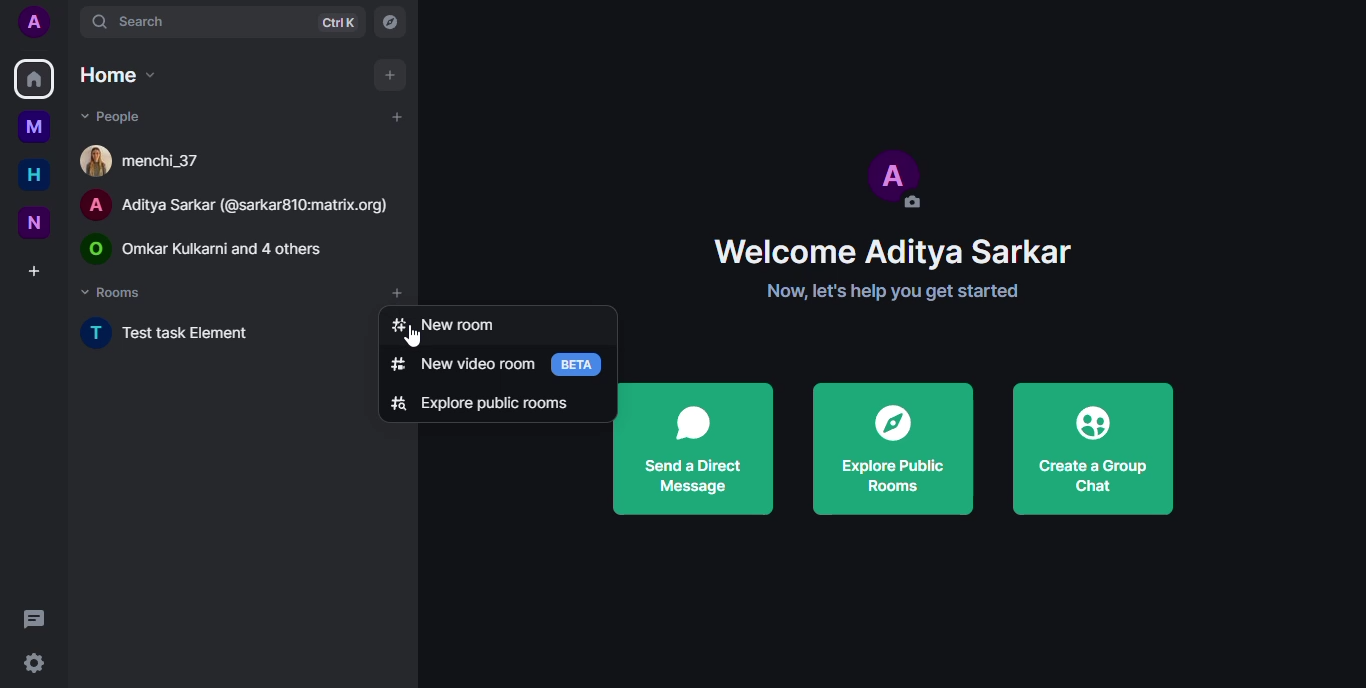 This screenshot has width=1366, height=688. I want to click on myspace, so click(34, 127).